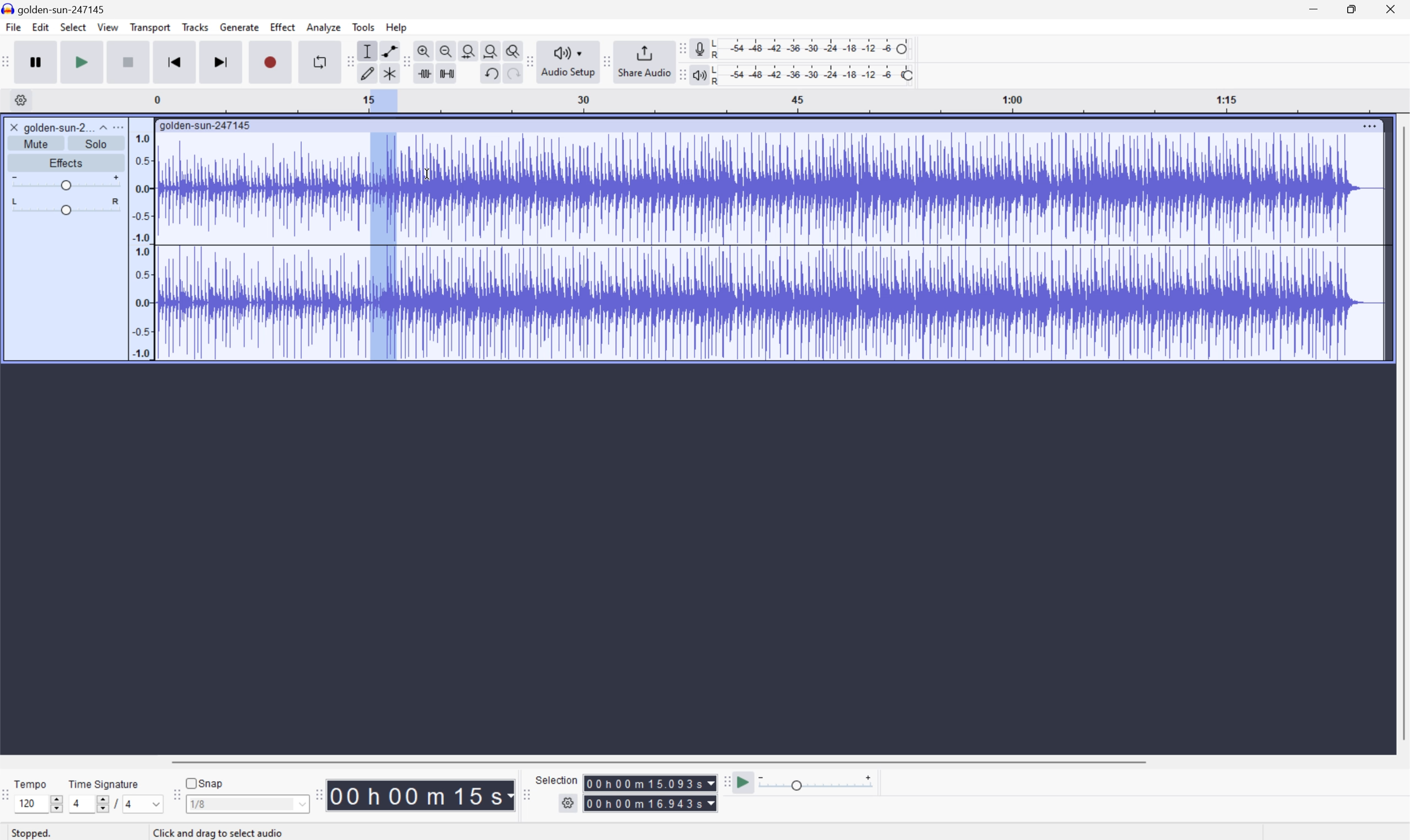 The image size is (1410, 840). Describe the element at coordinates (96, 806) in the screenshot. I see `Slider` at that location.